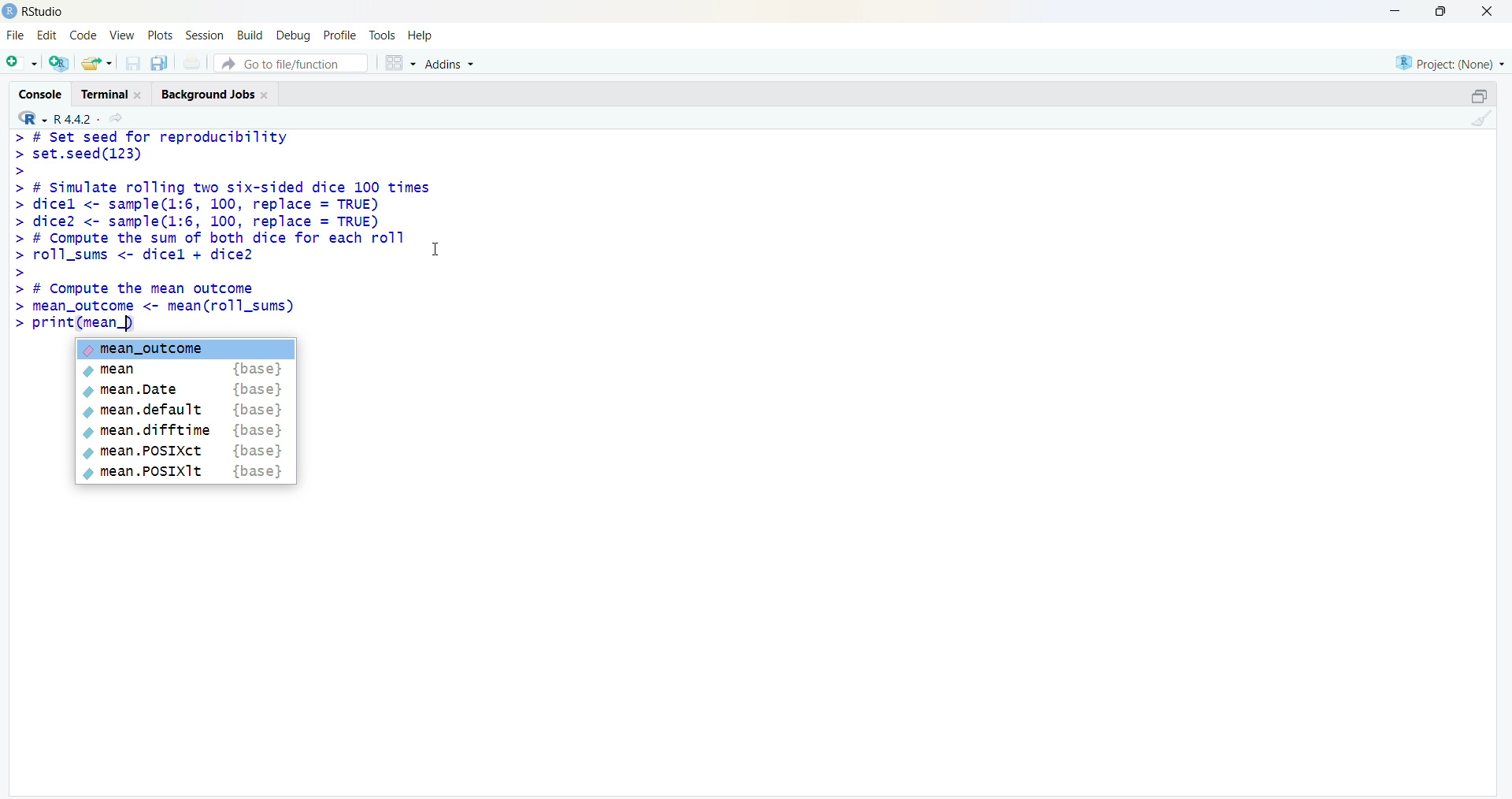 The height and width of the screenshot is (799, 1512). Describe the element at coordinates (40, 95) in the screenshot. I see `cosole` at that location.